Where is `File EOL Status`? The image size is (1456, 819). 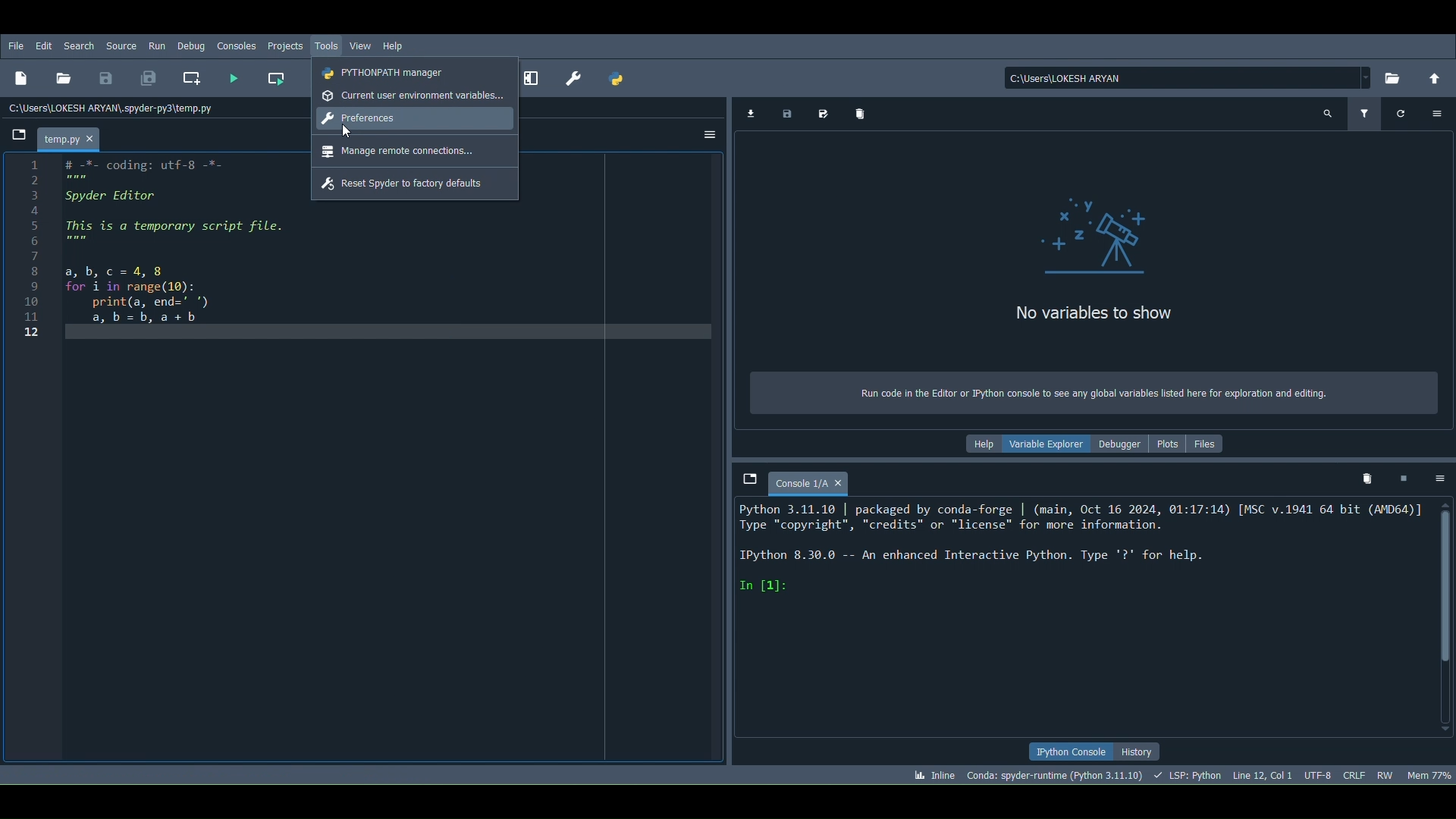 File EOL Status is located at coordinates (1355, 772).